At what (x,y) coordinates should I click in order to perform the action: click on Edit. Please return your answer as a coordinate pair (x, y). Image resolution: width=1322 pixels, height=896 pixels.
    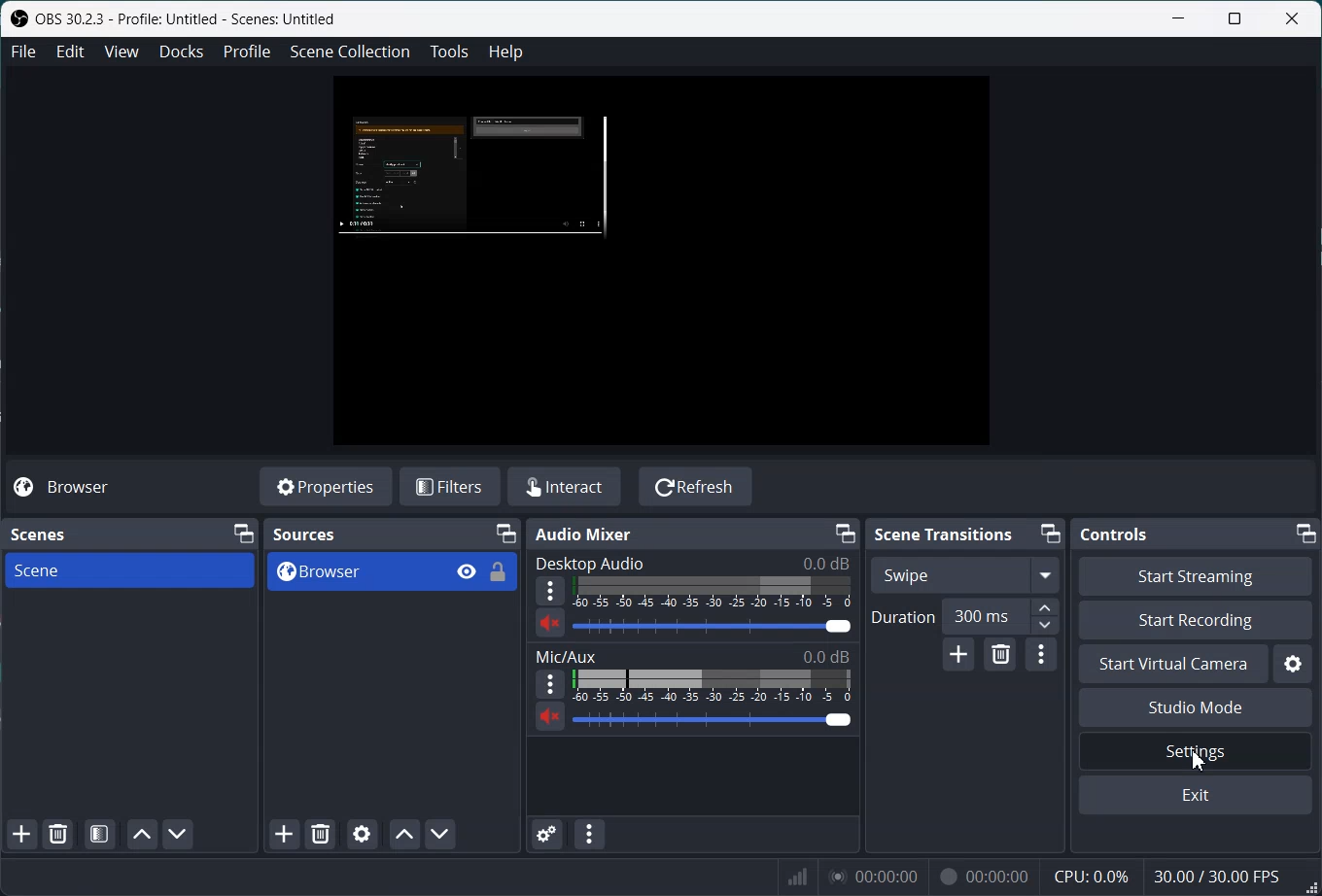
    Looking at the image, I should click on (70, 52).